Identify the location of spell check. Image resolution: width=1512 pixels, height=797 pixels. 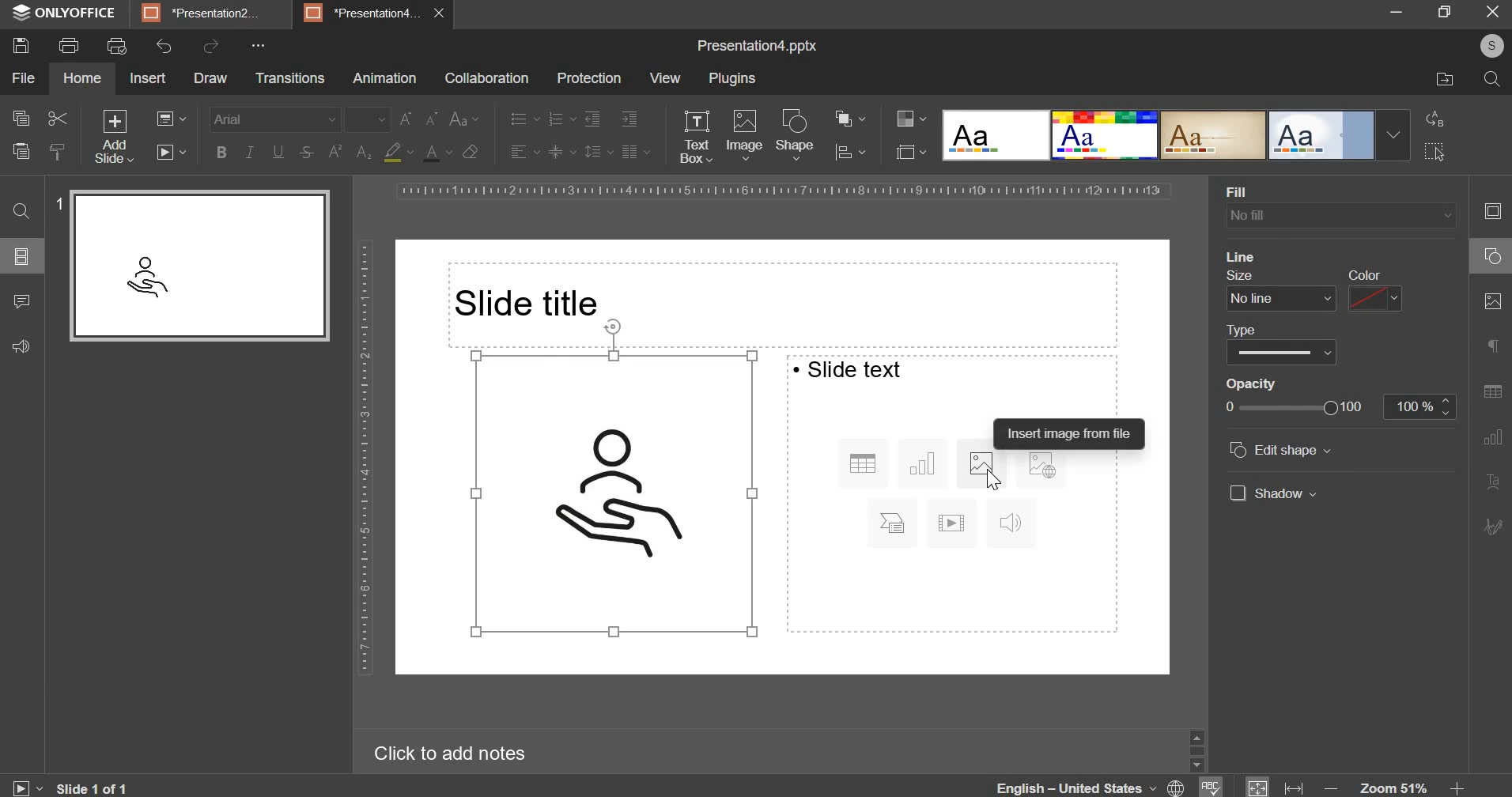
(1212, 787).